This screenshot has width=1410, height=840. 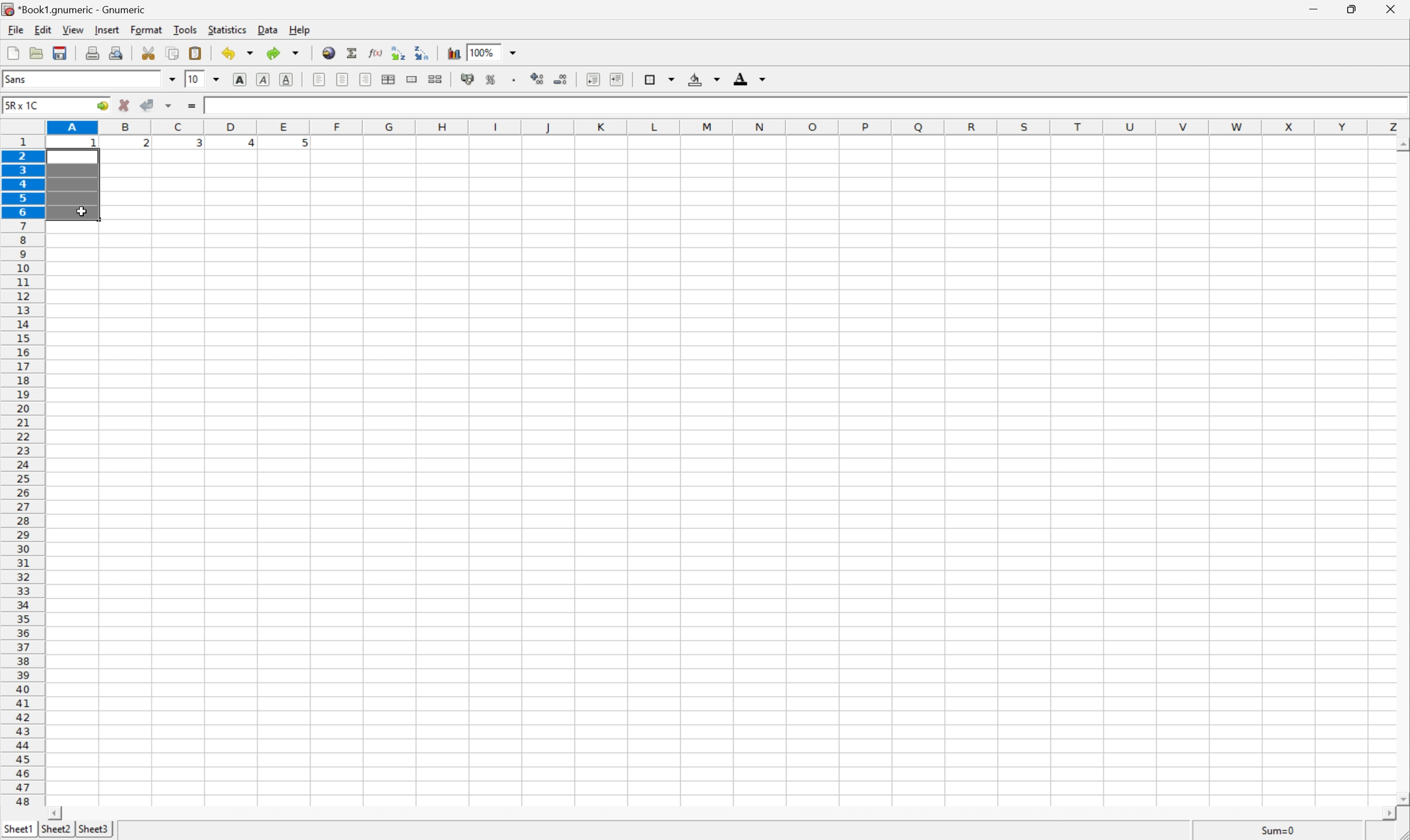 What do you see at coordinates (437, 78) in the screenshot?
I see `split merged ranges of cells` at bounding box center [437, 78].